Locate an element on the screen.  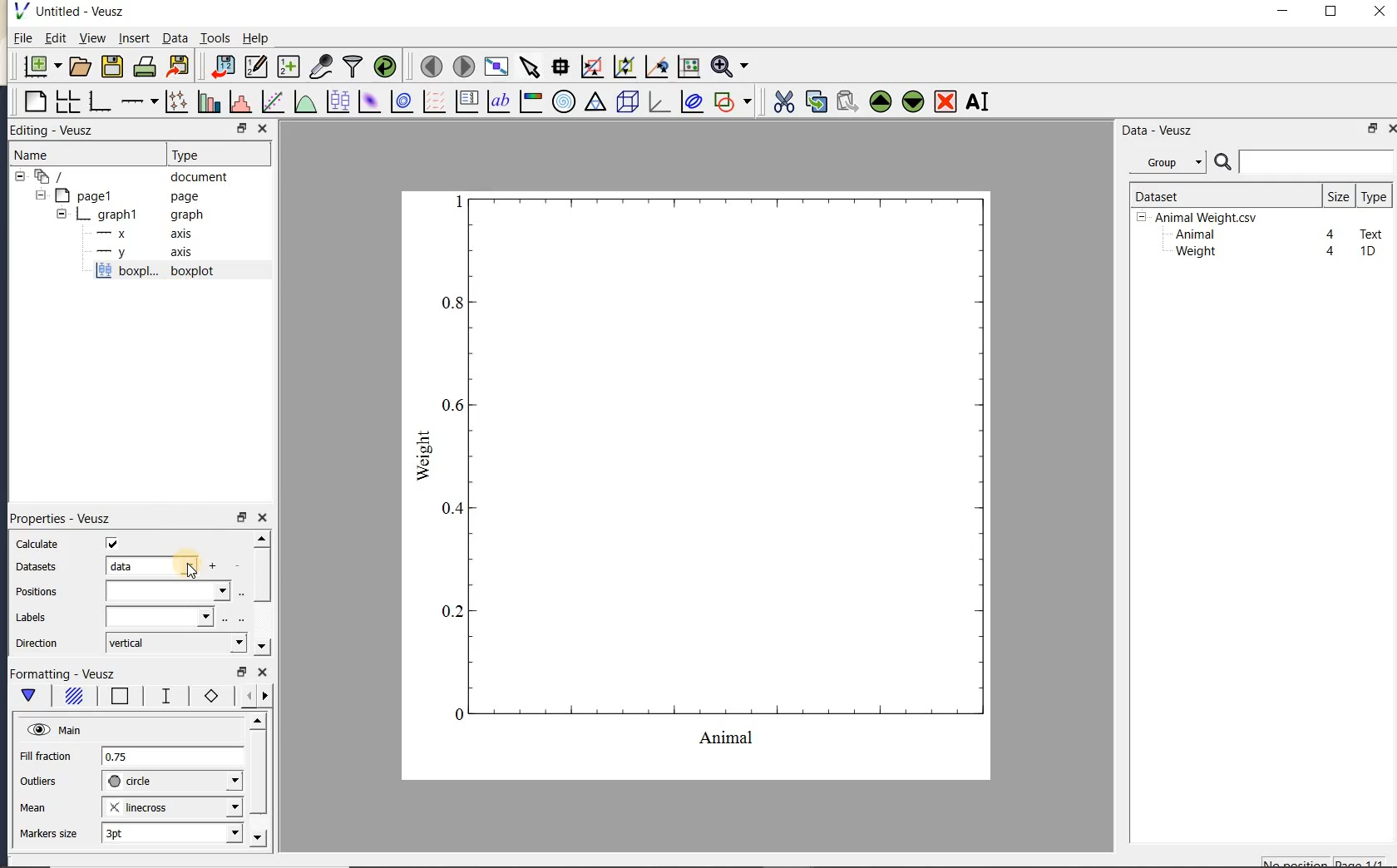
calculate is located at coordinates (38, 545).